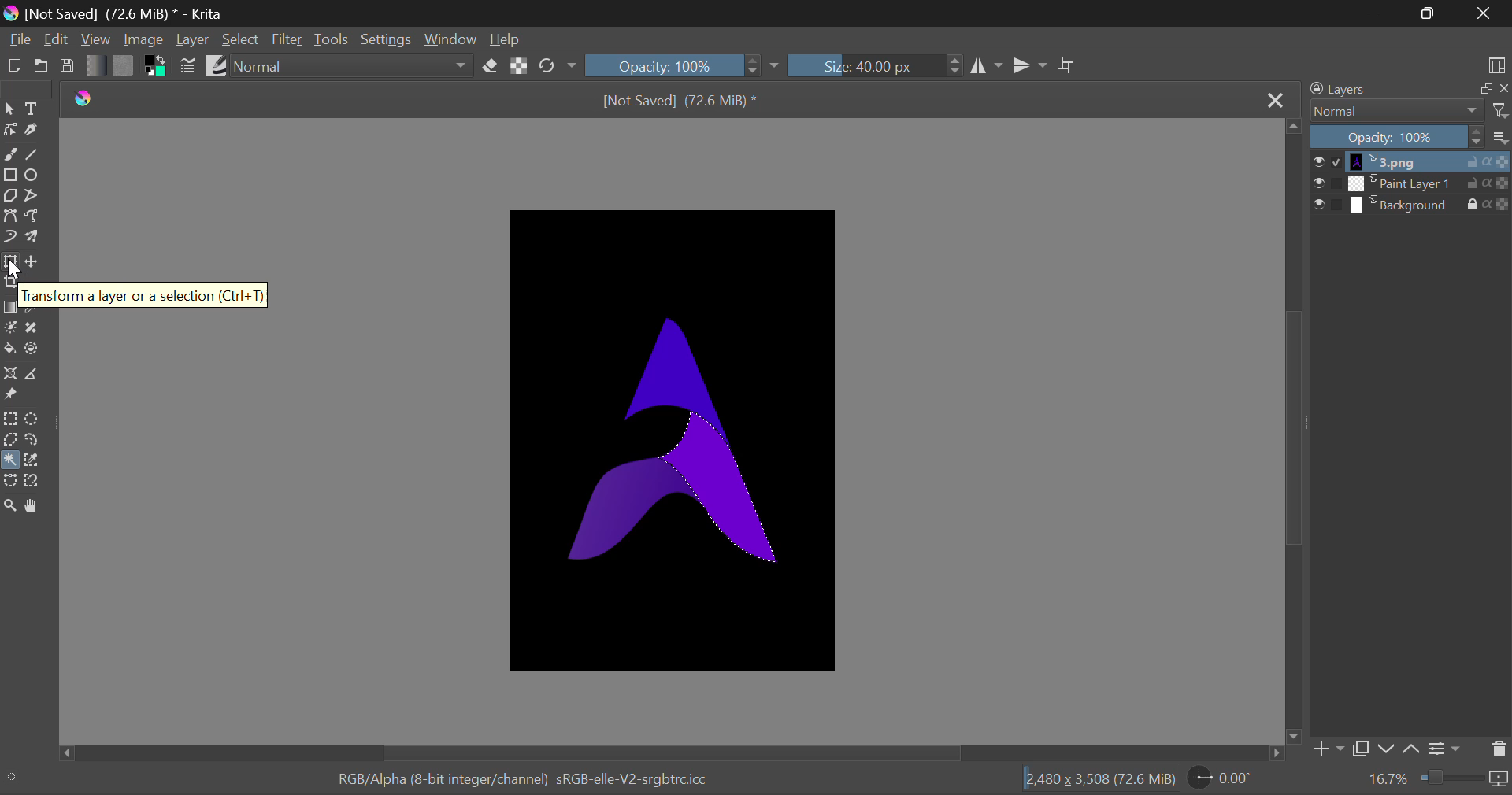 This screenshot has height=795, width=1512. Describe the element at coordinates (1293, 431) in the screenshot. I see `Scroll Bar` at that location.